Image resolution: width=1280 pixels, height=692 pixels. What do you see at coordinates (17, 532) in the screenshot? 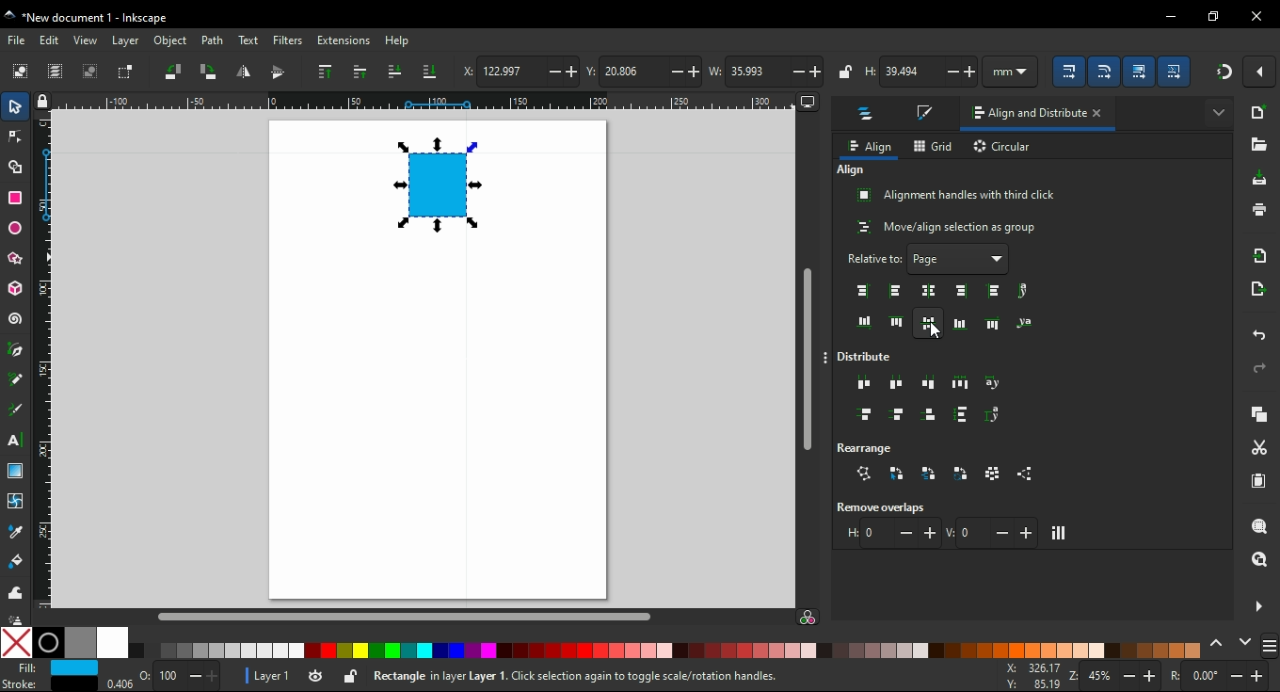
I see `dropper tool` at bounding box center [17, 532].